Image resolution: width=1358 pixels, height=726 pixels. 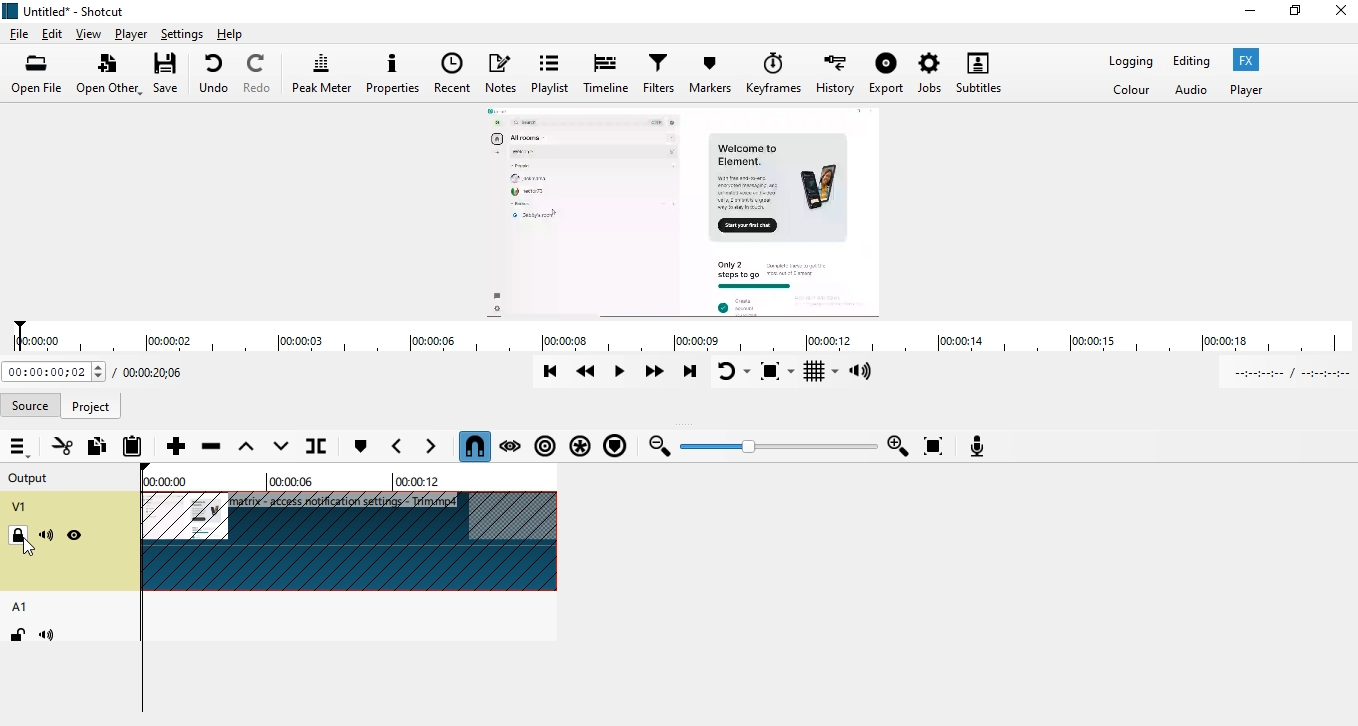 What do you see at coordinates (52, 31) in the screenshot?
I see `edit` at bounding box center [52, 31].